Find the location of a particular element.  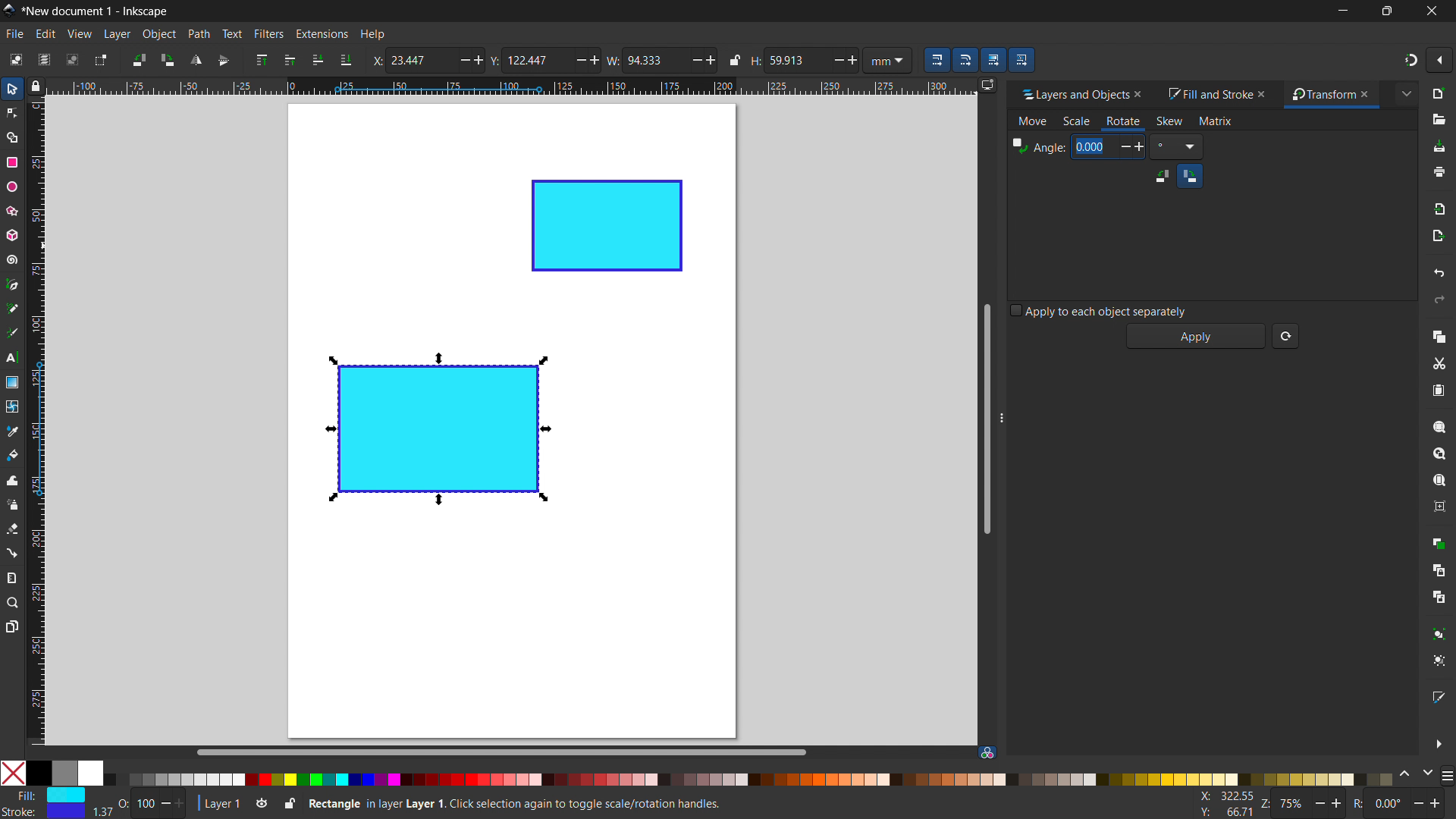

O: 100 is located at coordinates (153, 802).